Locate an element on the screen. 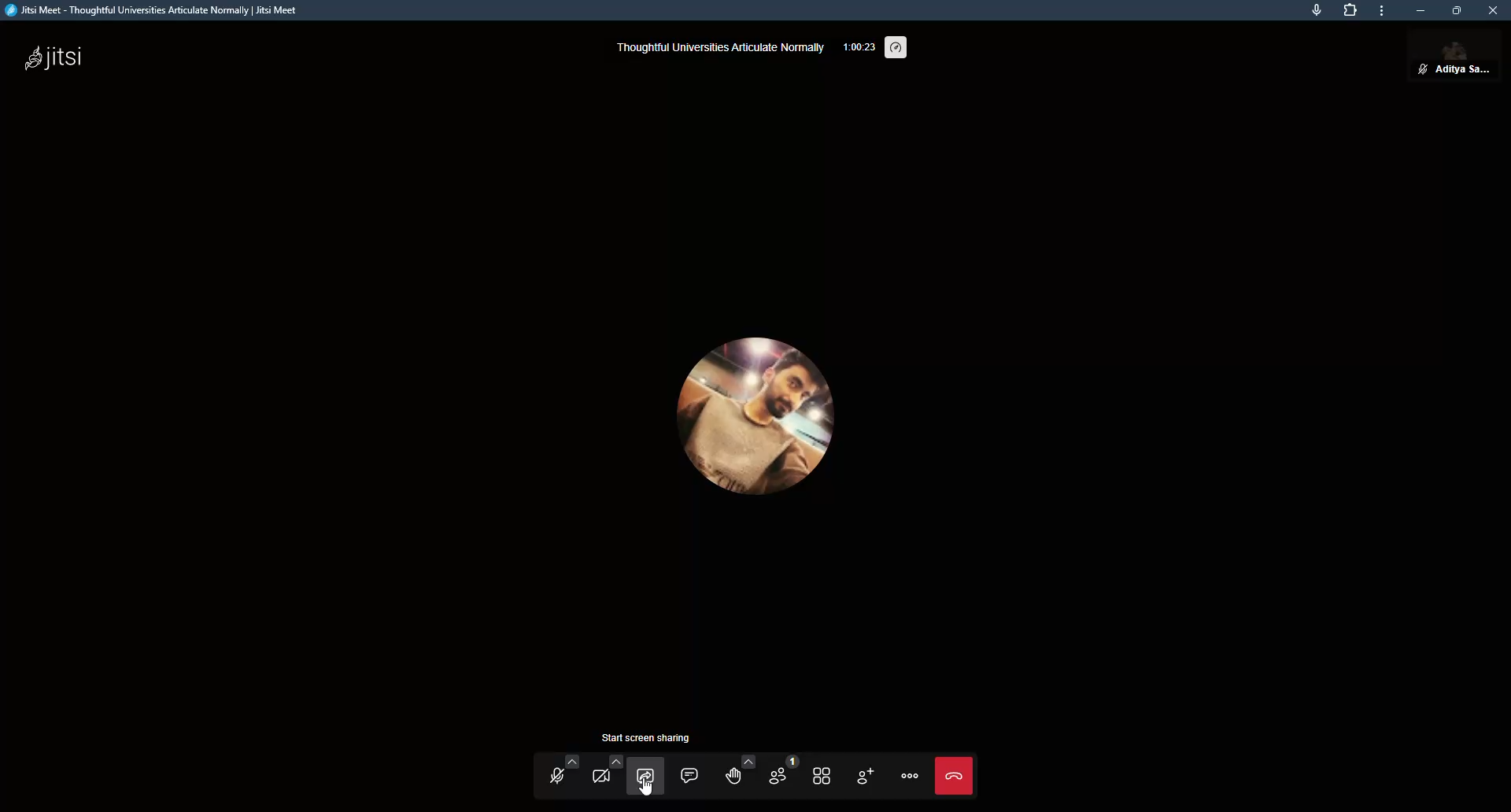 The width and height of the screenshot is (1511, 812). 1:00:23 is located at coordinates (857, 46).